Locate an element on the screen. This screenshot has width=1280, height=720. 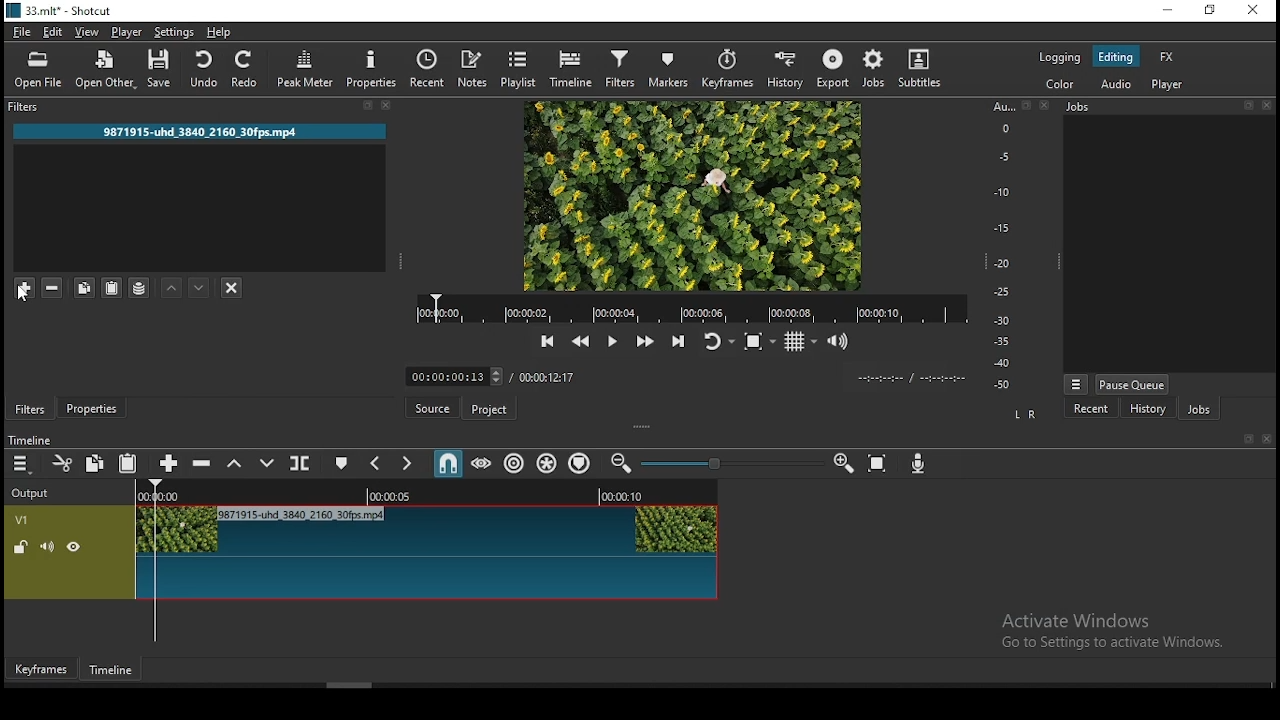
toggle player looping is located at coordinates (721, 341).